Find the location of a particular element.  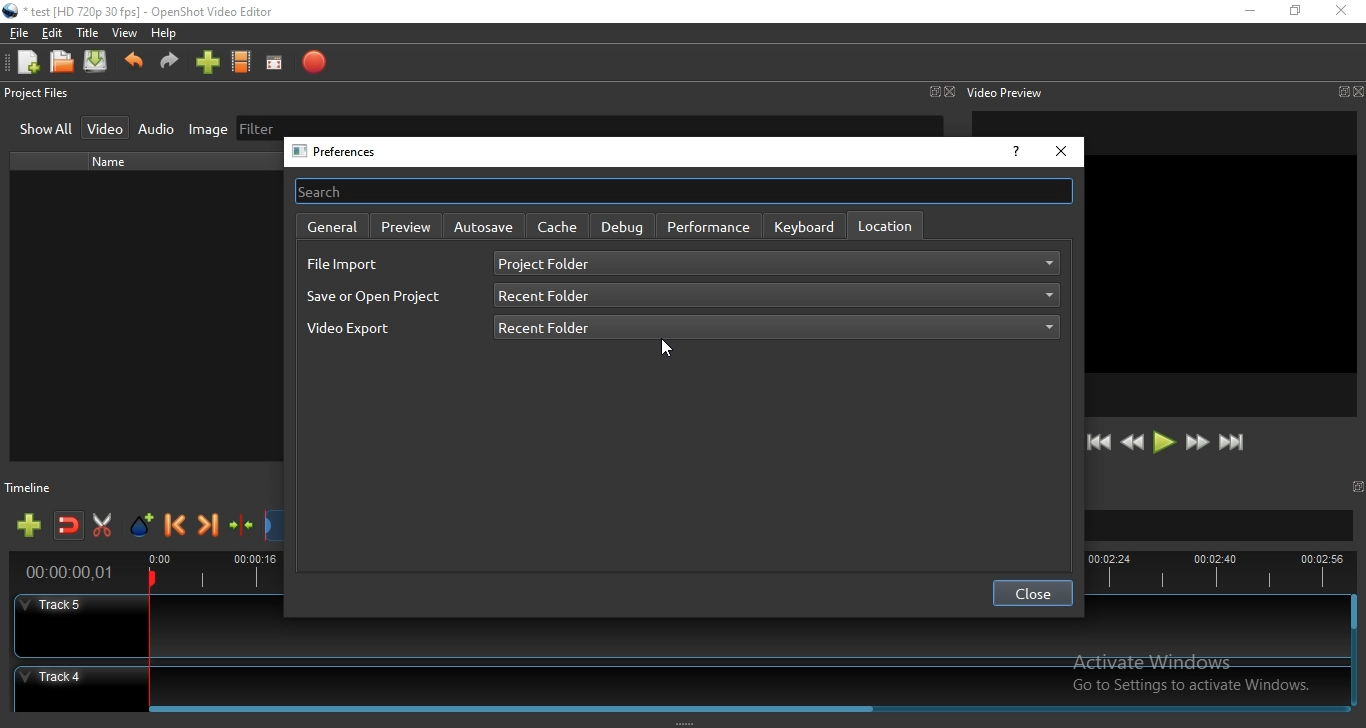

Window  is located at coordinates (933, 91).